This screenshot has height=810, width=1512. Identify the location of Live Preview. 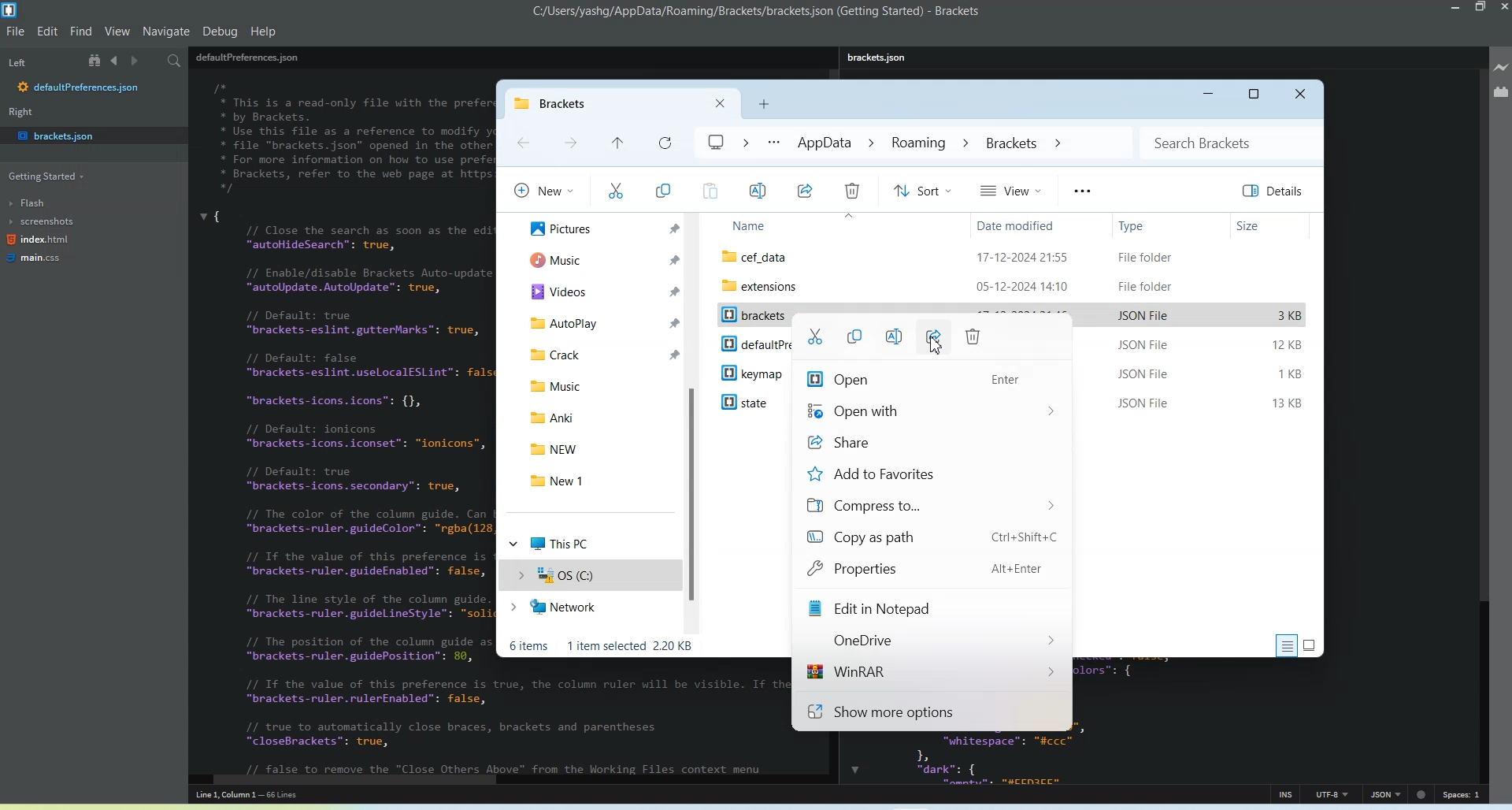
(1501, 68).